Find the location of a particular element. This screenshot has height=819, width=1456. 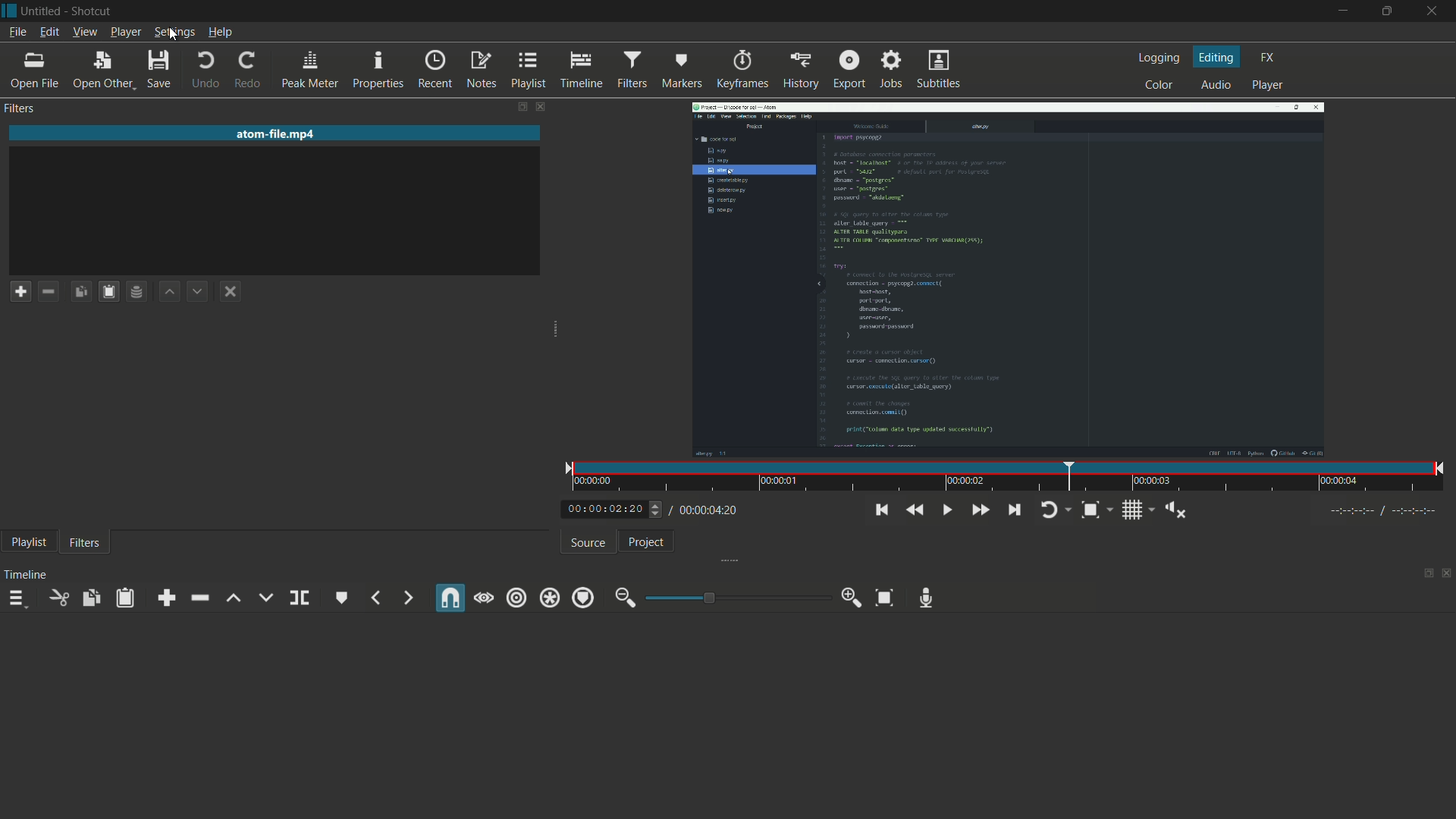

quickly play backward is located at coordinates (916, 510).